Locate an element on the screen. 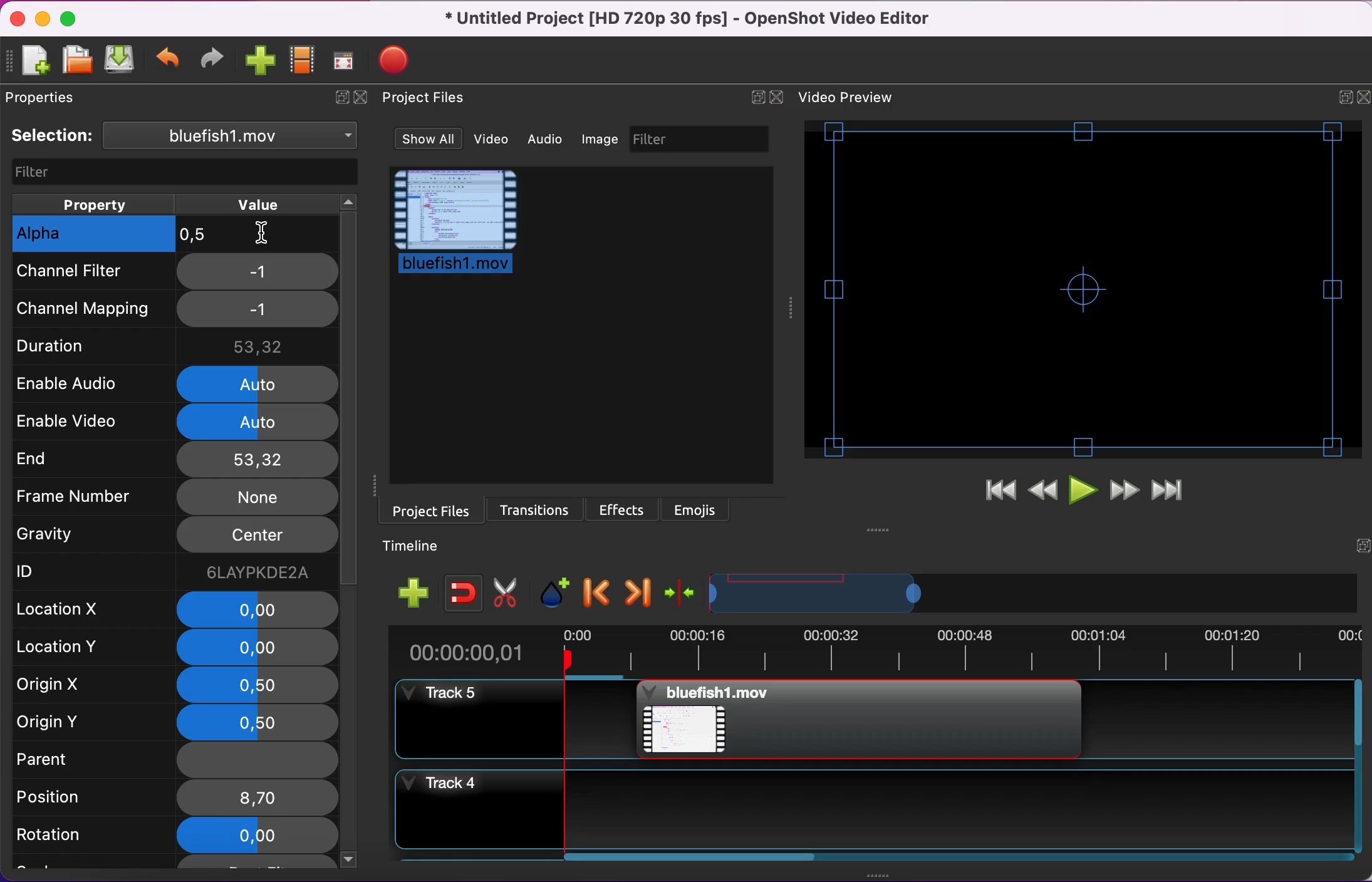 The image size is (1372, 882). track 5 is located at coordinates (510, 720).